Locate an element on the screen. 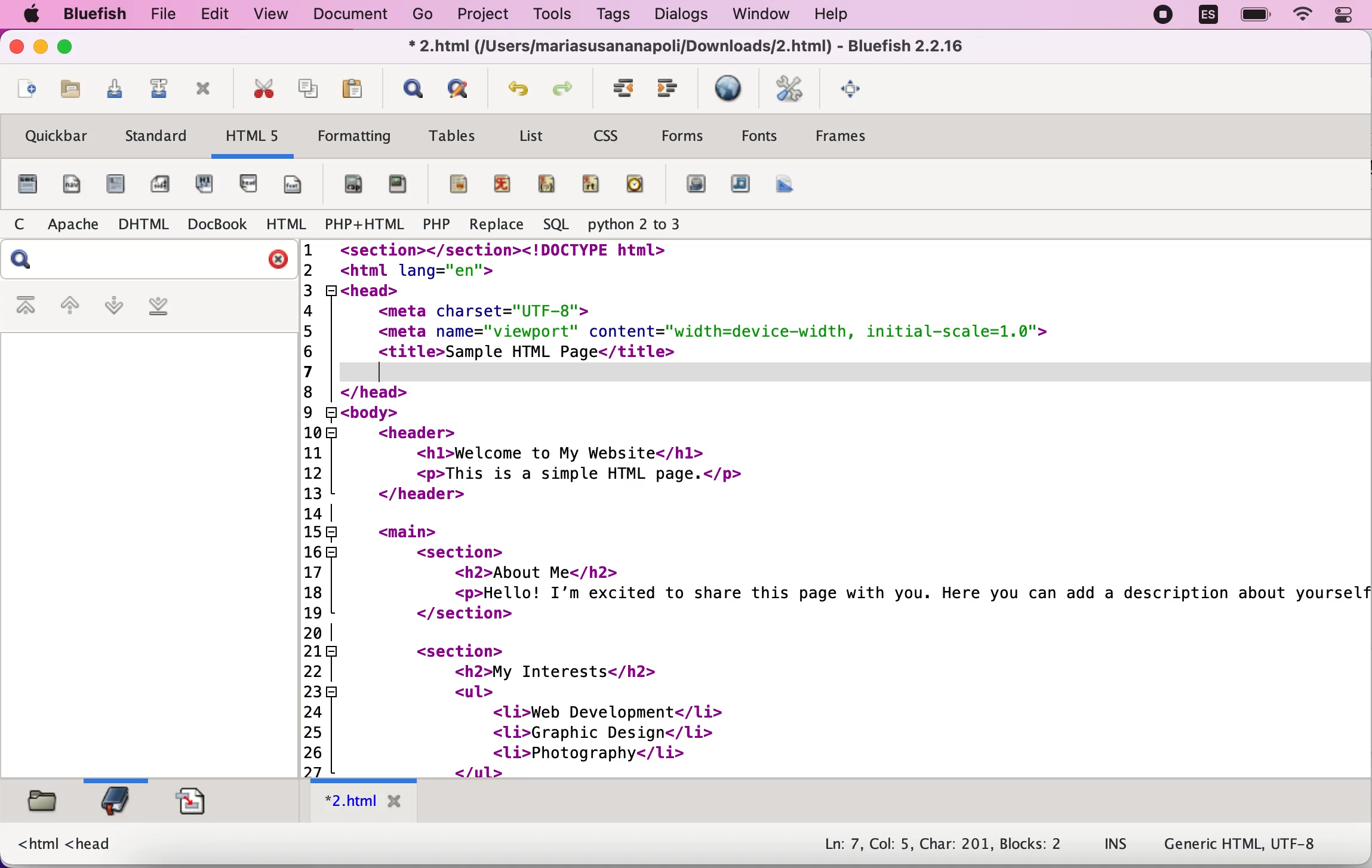 The width and height of the screenshot is (1372, 868). header is located at coordinates (253, 184).